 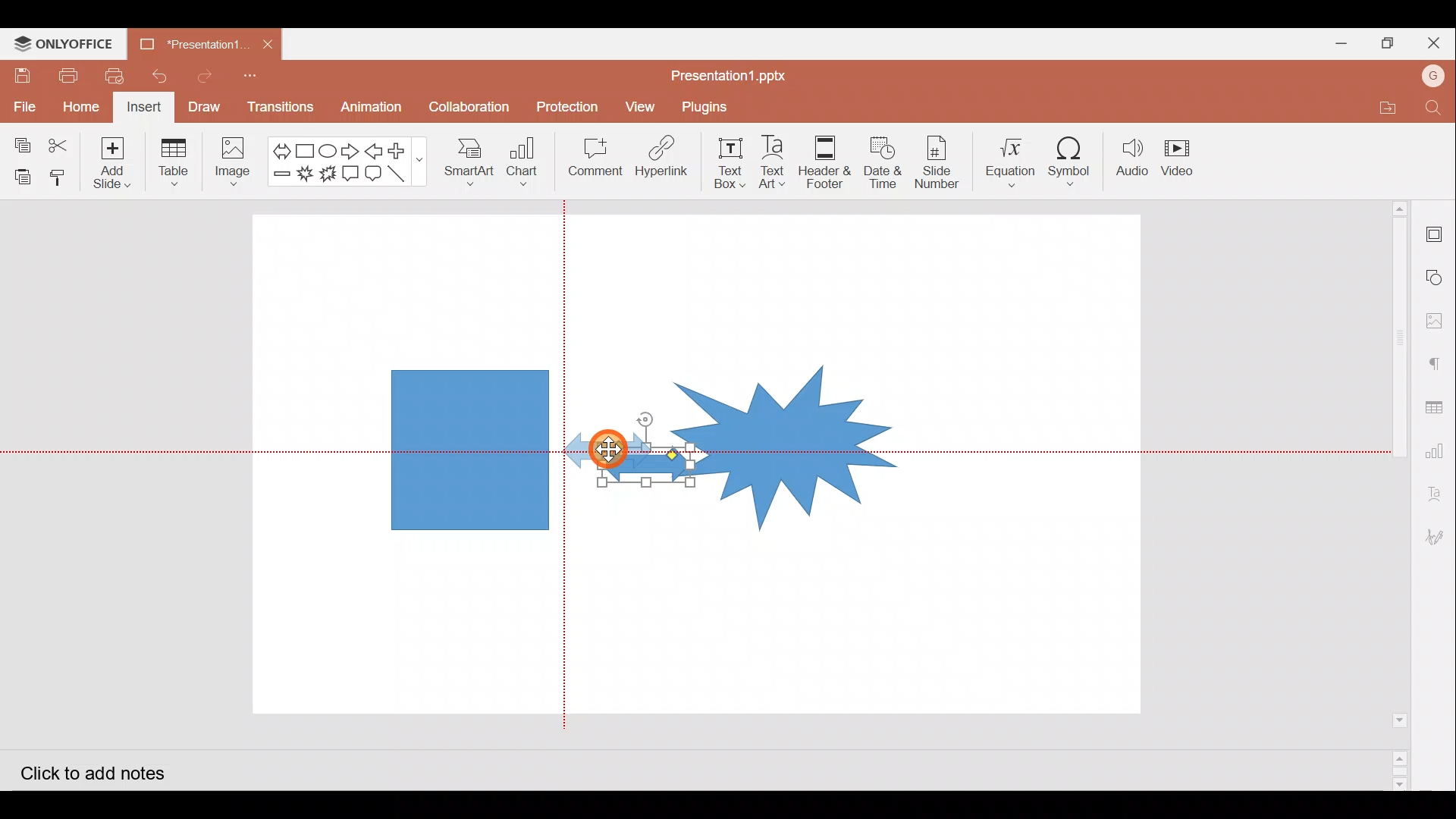 I want to click on Line, so click(x=401, y=172).